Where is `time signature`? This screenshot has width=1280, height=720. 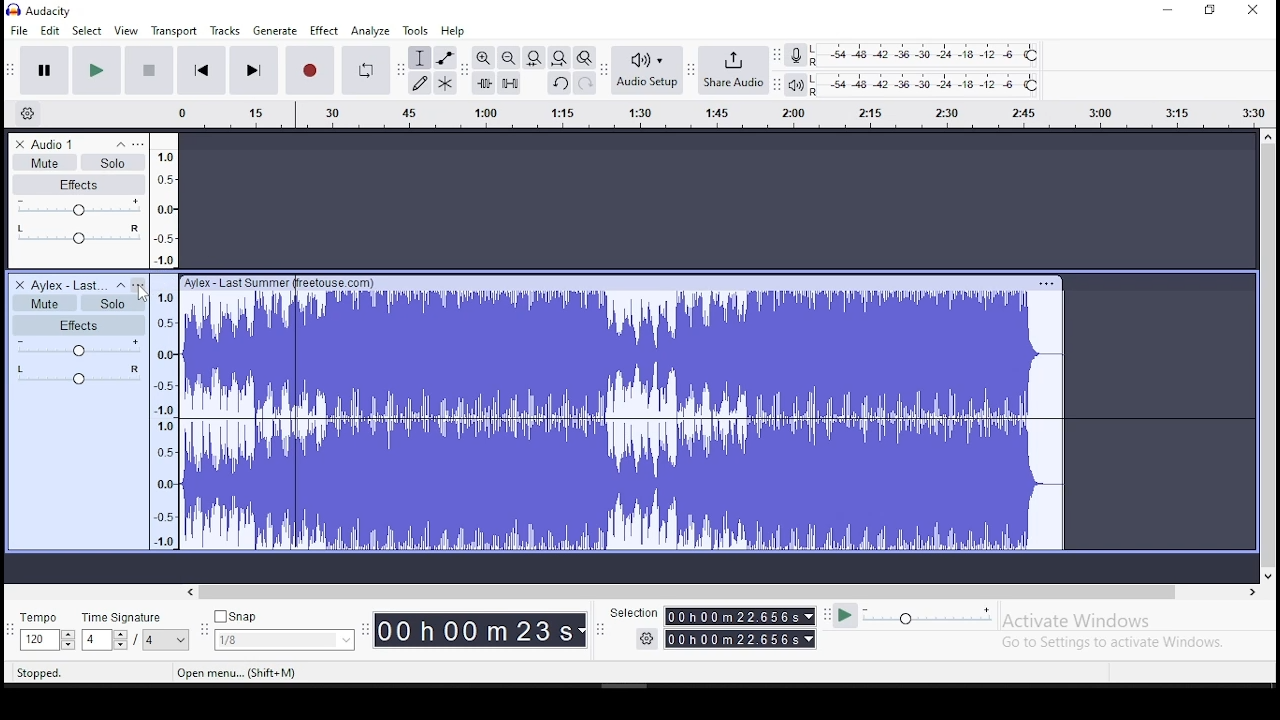
time signature is located at coordinates (134, 642).